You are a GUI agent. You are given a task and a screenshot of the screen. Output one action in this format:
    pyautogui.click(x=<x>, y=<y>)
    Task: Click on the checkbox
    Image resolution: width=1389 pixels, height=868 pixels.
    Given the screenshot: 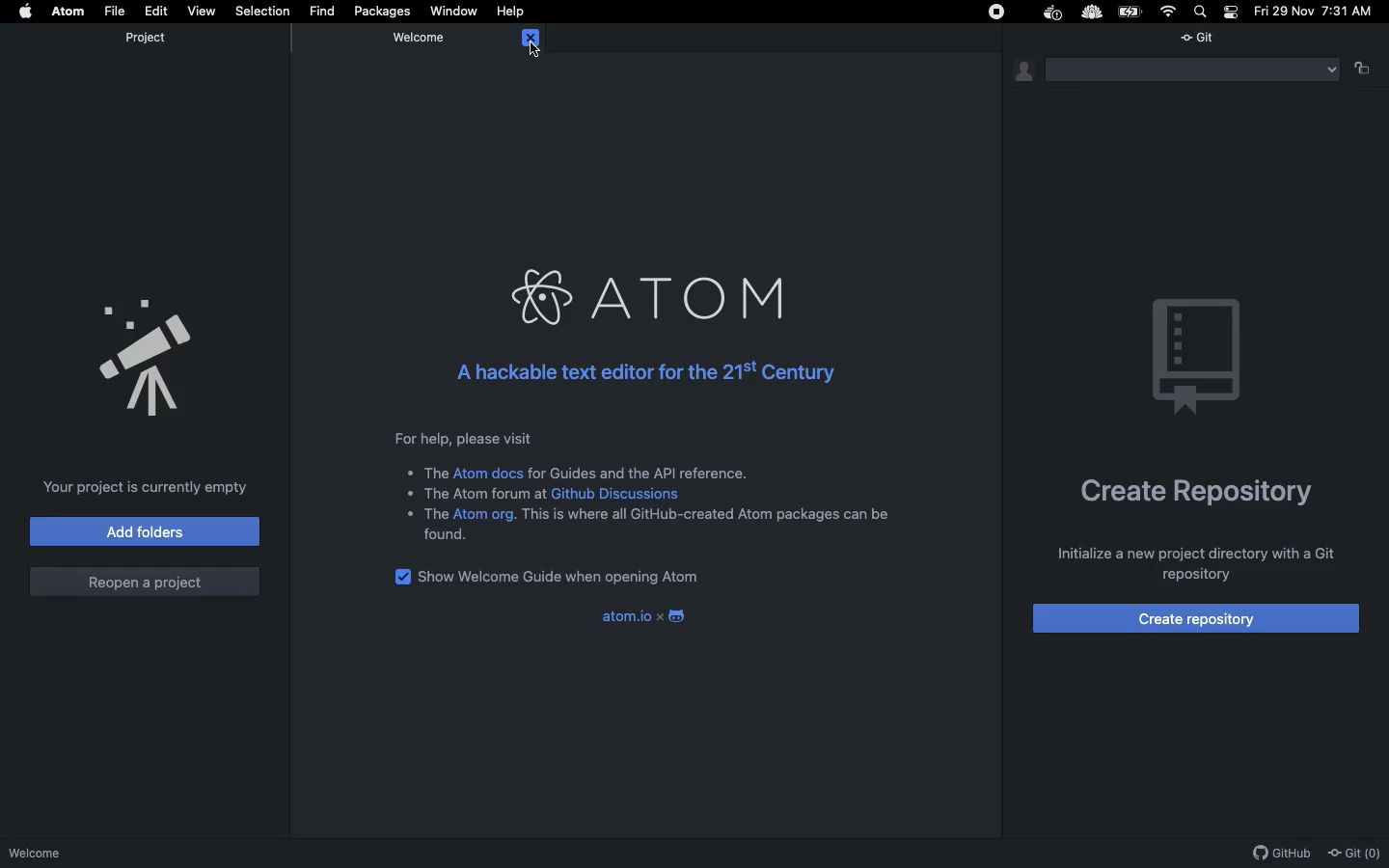 What is the action you would take?
    pyautogui.click(x=397, y=577)
    